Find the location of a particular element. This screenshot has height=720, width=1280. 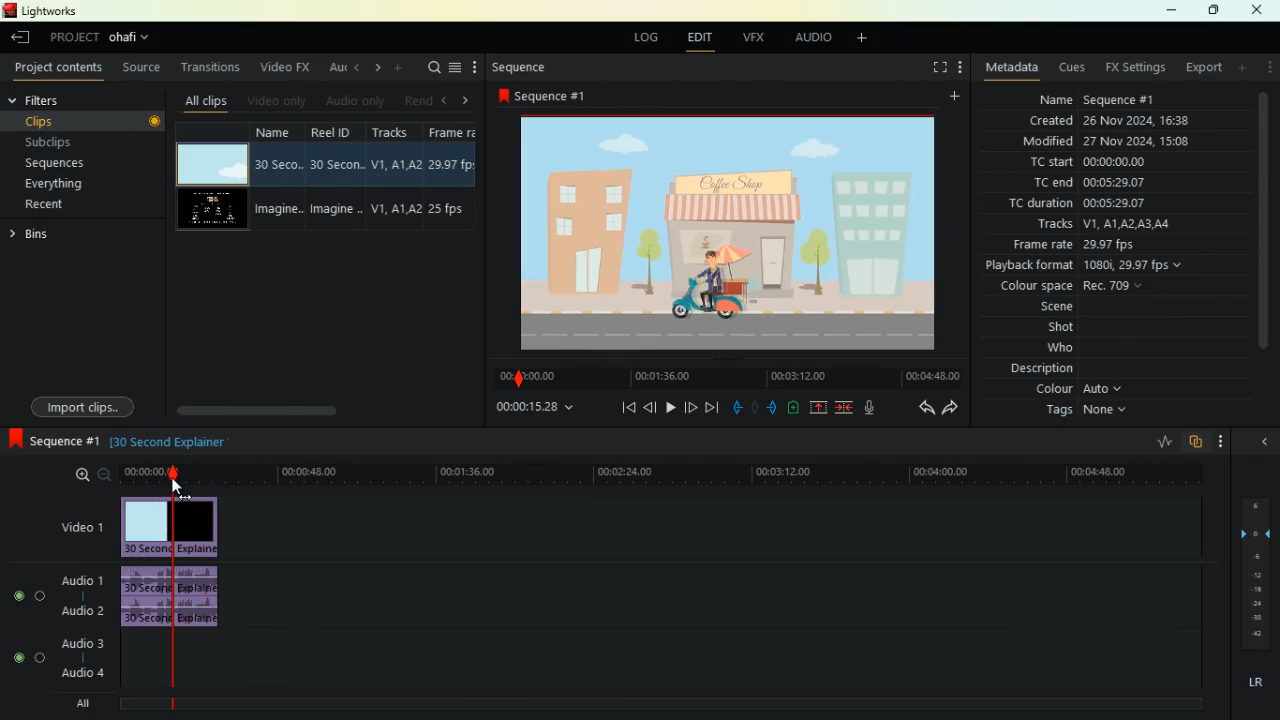

shot is located at coordinates (1052, 329).